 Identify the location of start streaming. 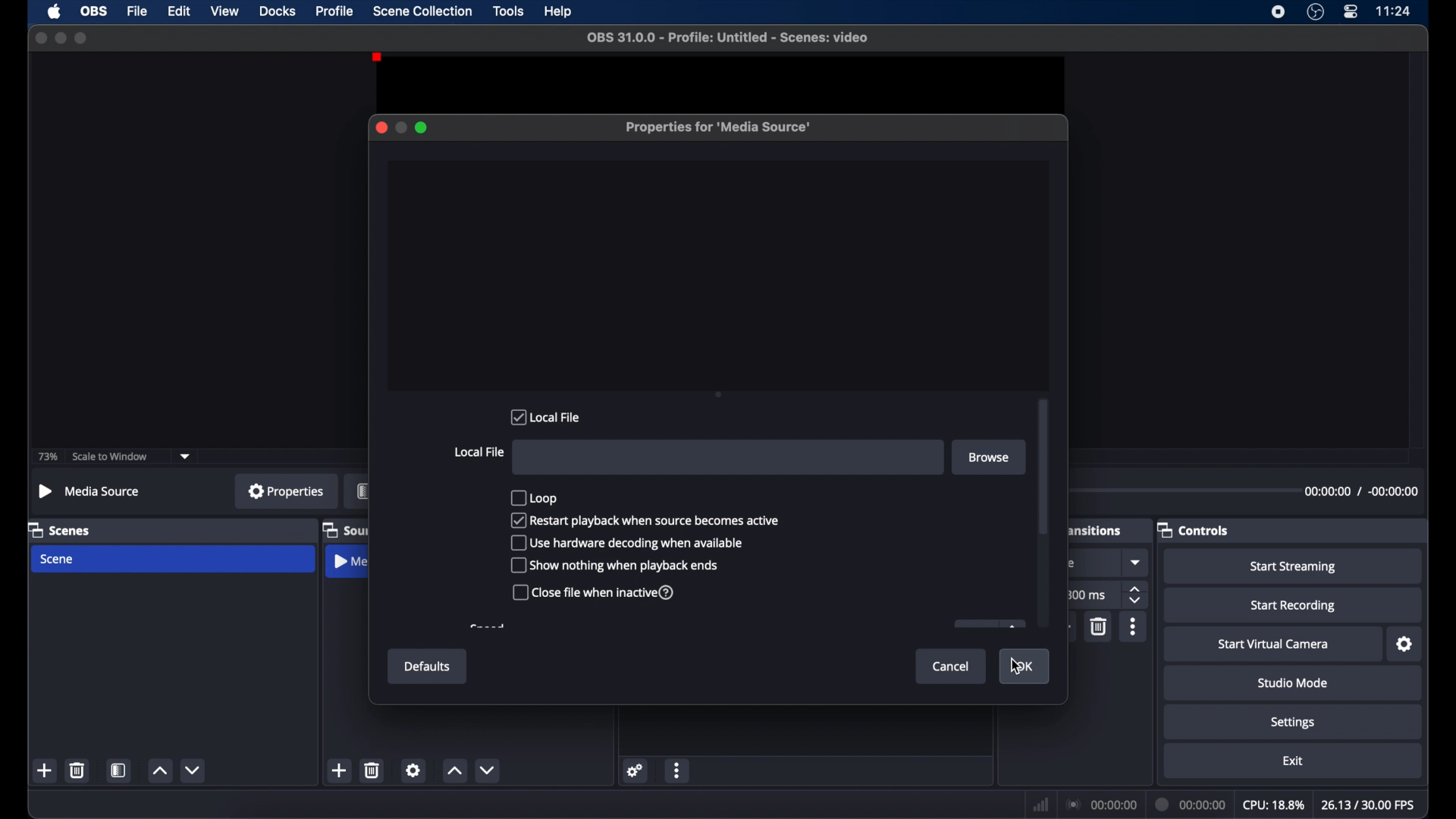
(1295, 567).